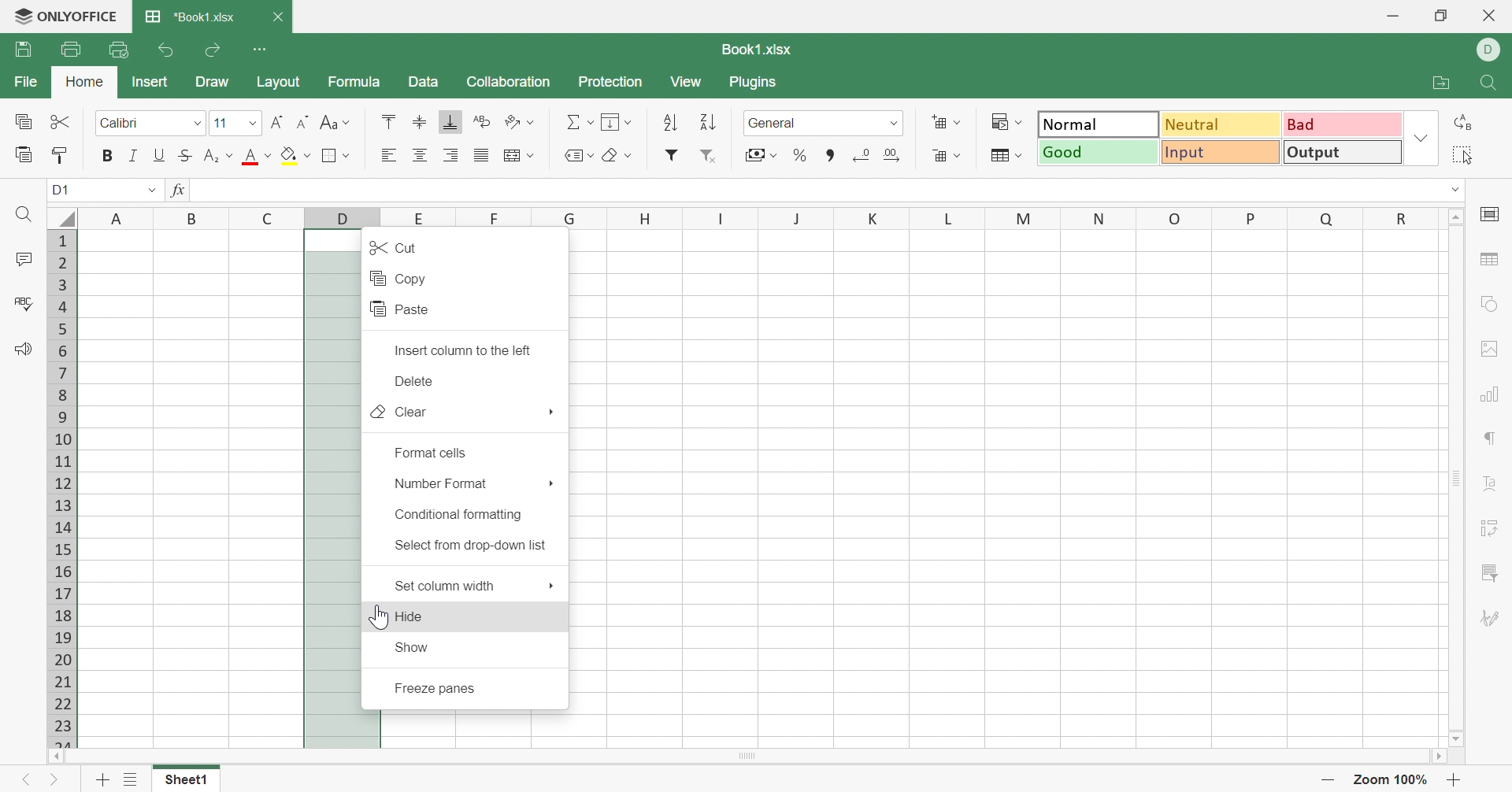 Image resolution: width=1512 pixels, height=792 pixels. I want to click on Slicer settings, so click(1492, 573).